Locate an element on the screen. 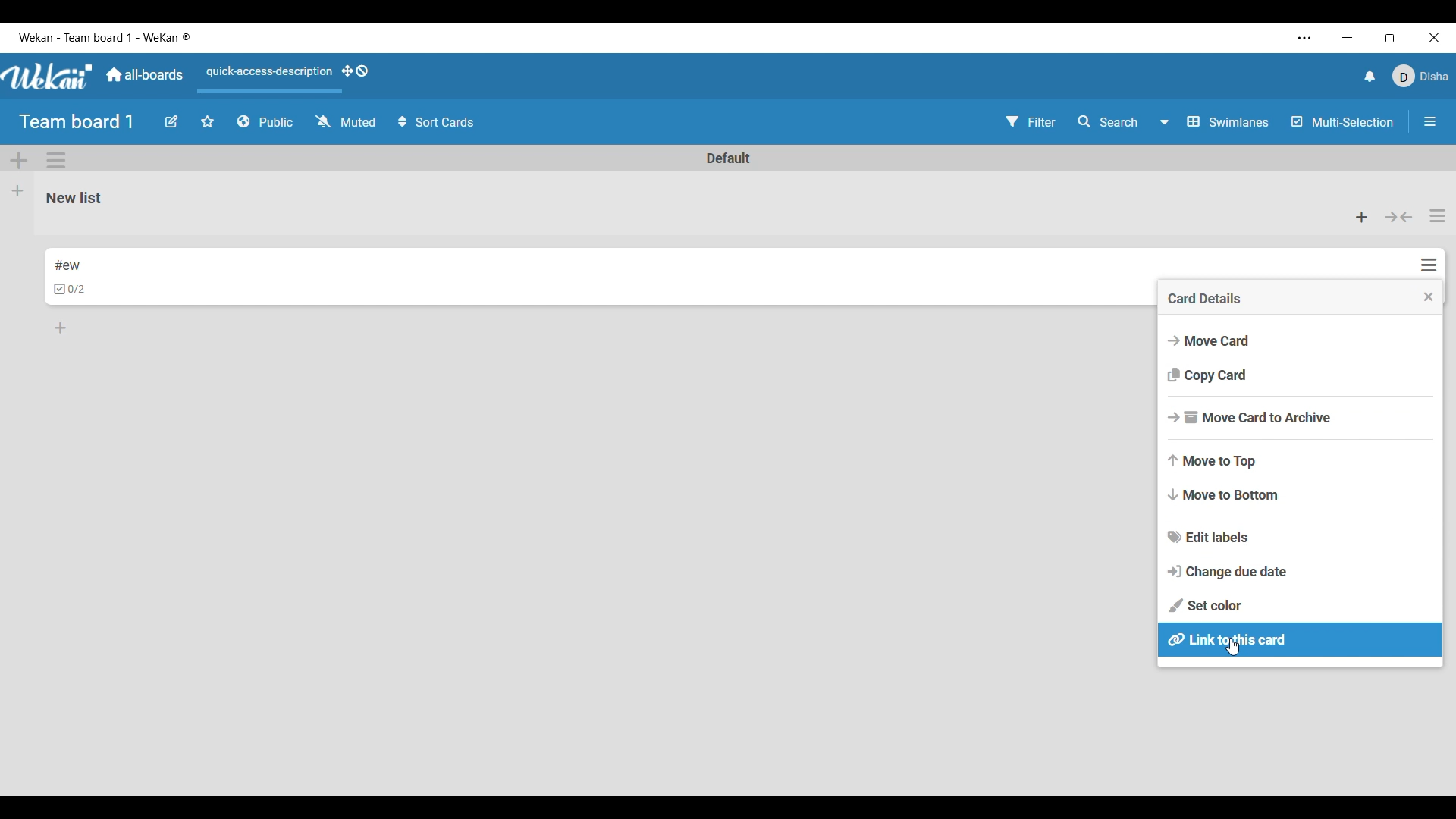 The height and width of the screenshot is (819, 1456). Board privacy options is located at coordinates (265, 122).